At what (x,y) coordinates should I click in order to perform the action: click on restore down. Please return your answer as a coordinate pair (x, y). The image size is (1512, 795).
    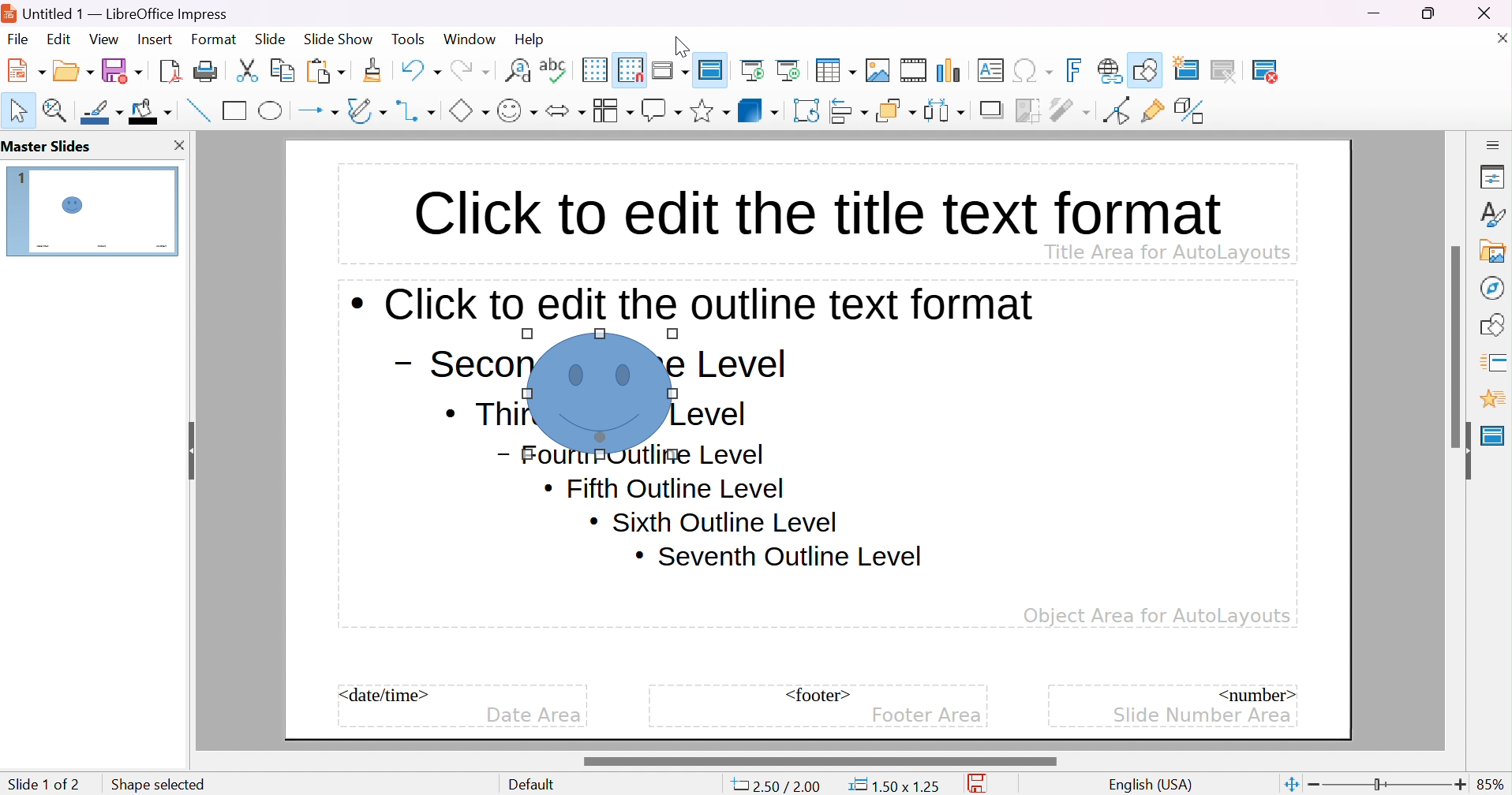
    Looking at the image, I should click on (1429, 13).